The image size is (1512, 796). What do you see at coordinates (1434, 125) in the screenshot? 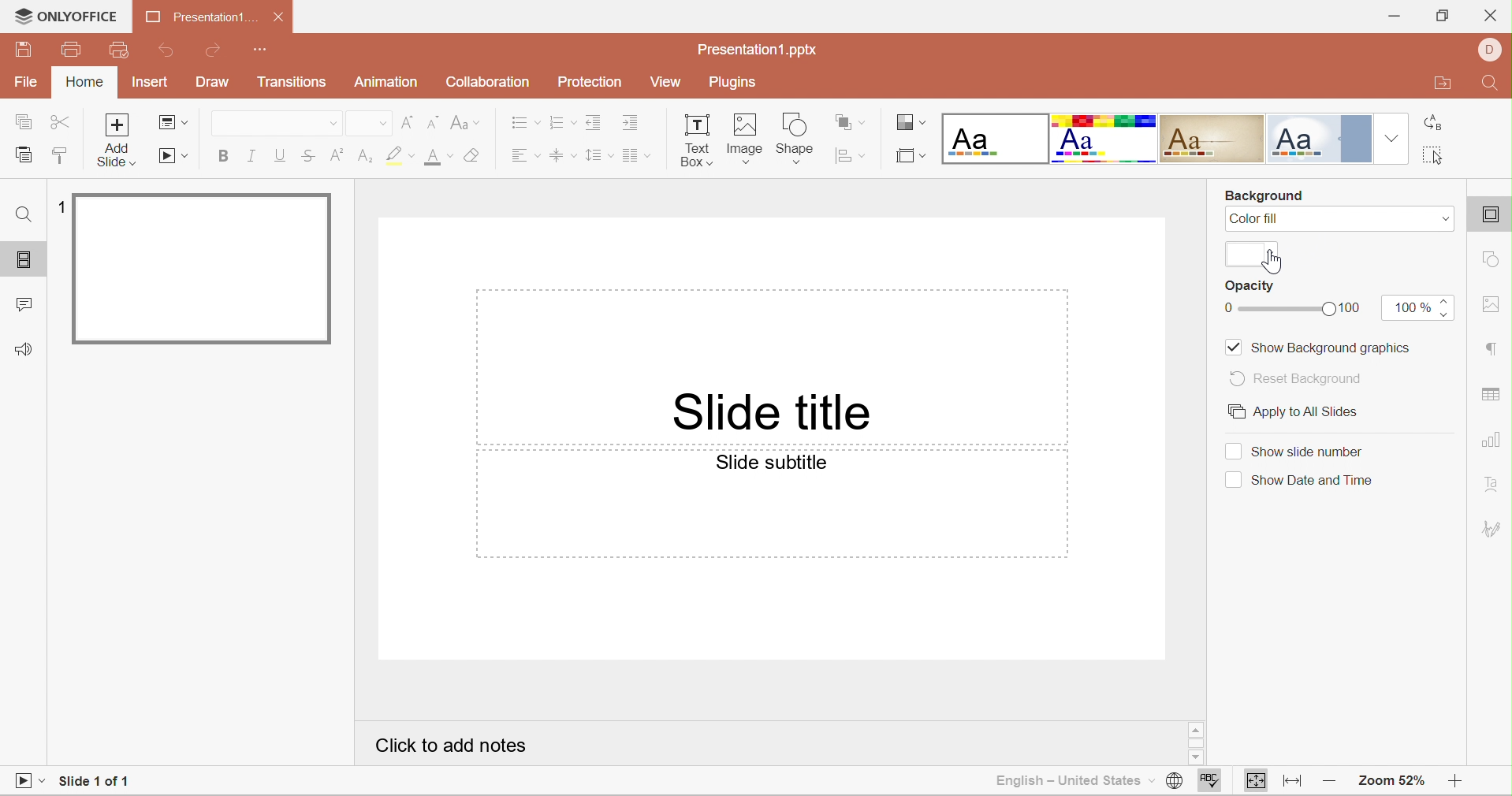
I see `Replace` at bounding box center [1434, 125].